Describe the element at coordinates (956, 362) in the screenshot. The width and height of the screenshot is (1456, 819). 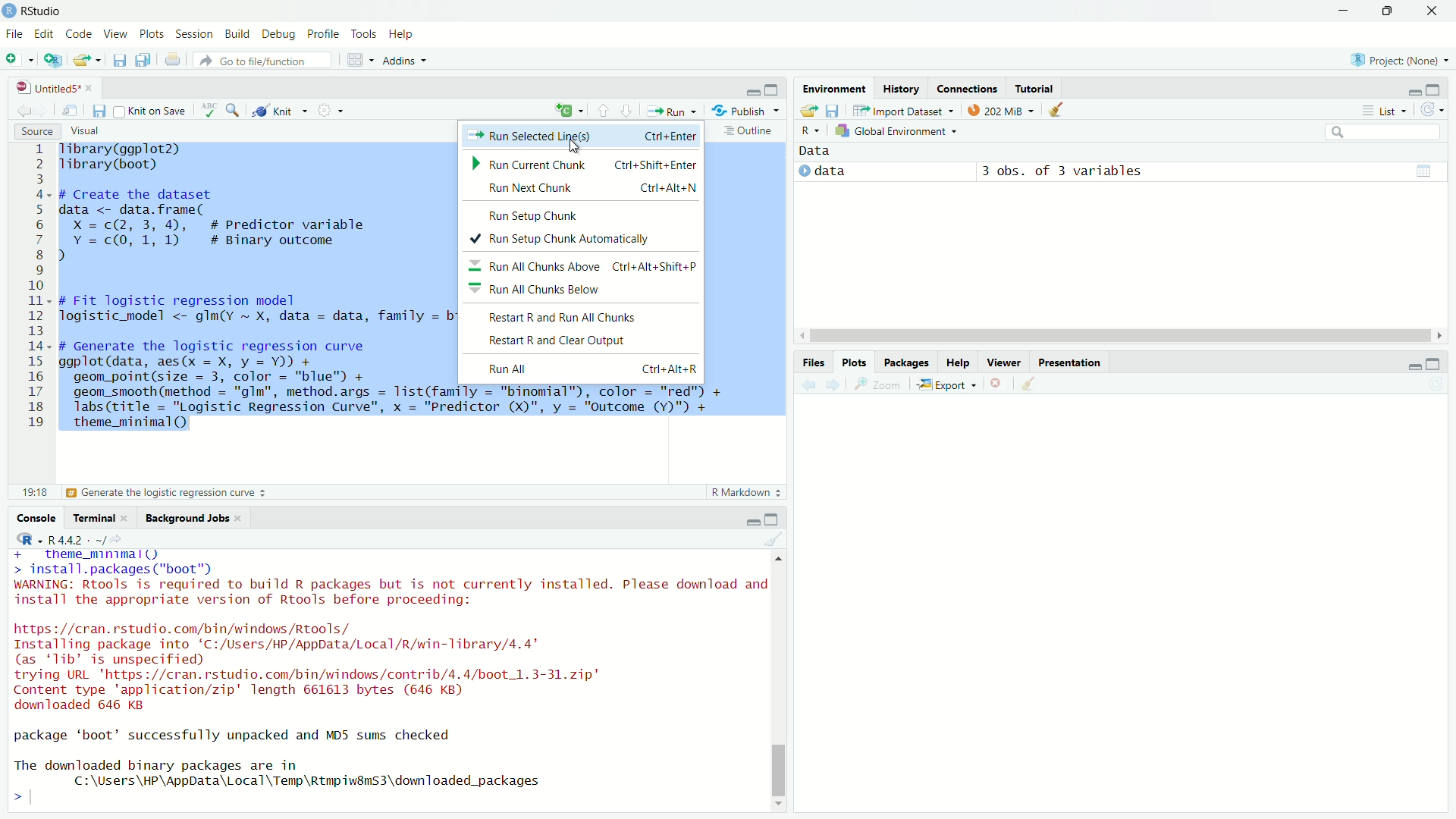
I see `Help` at that location.